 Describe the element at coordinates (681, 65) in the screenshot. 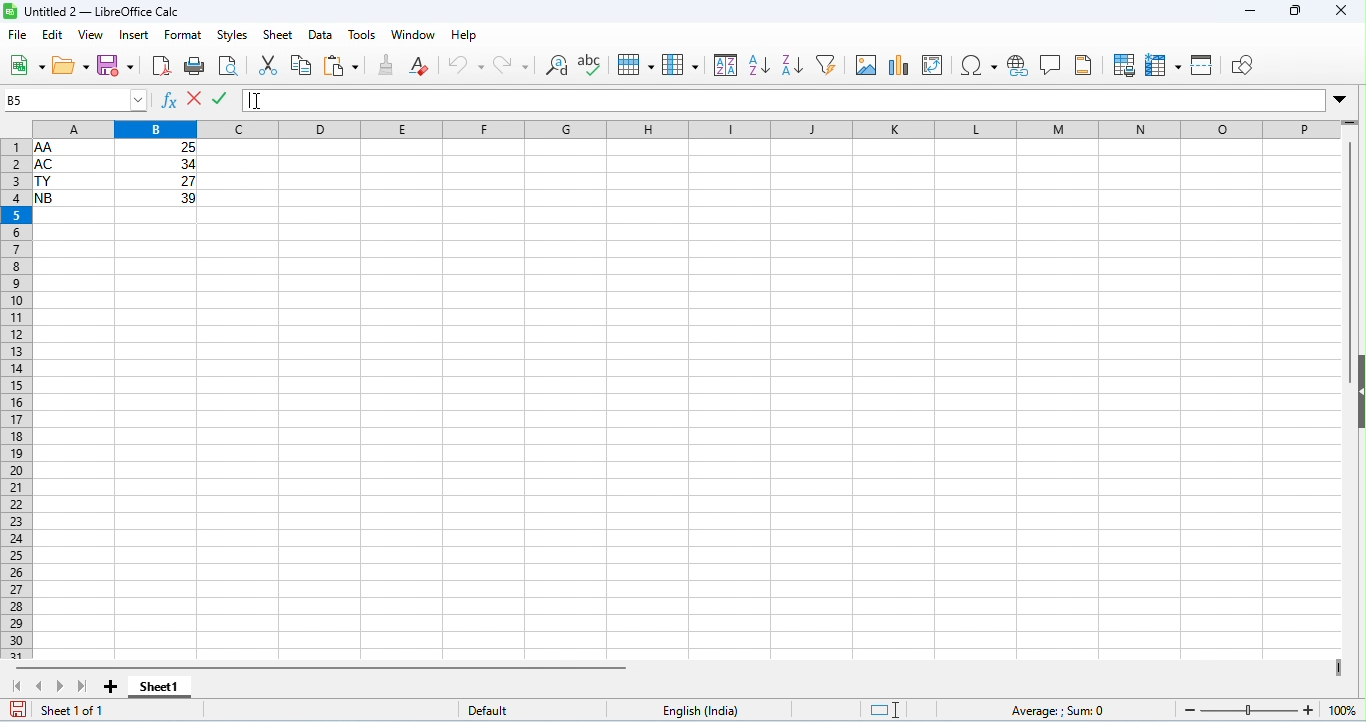

I see `column` at that location.